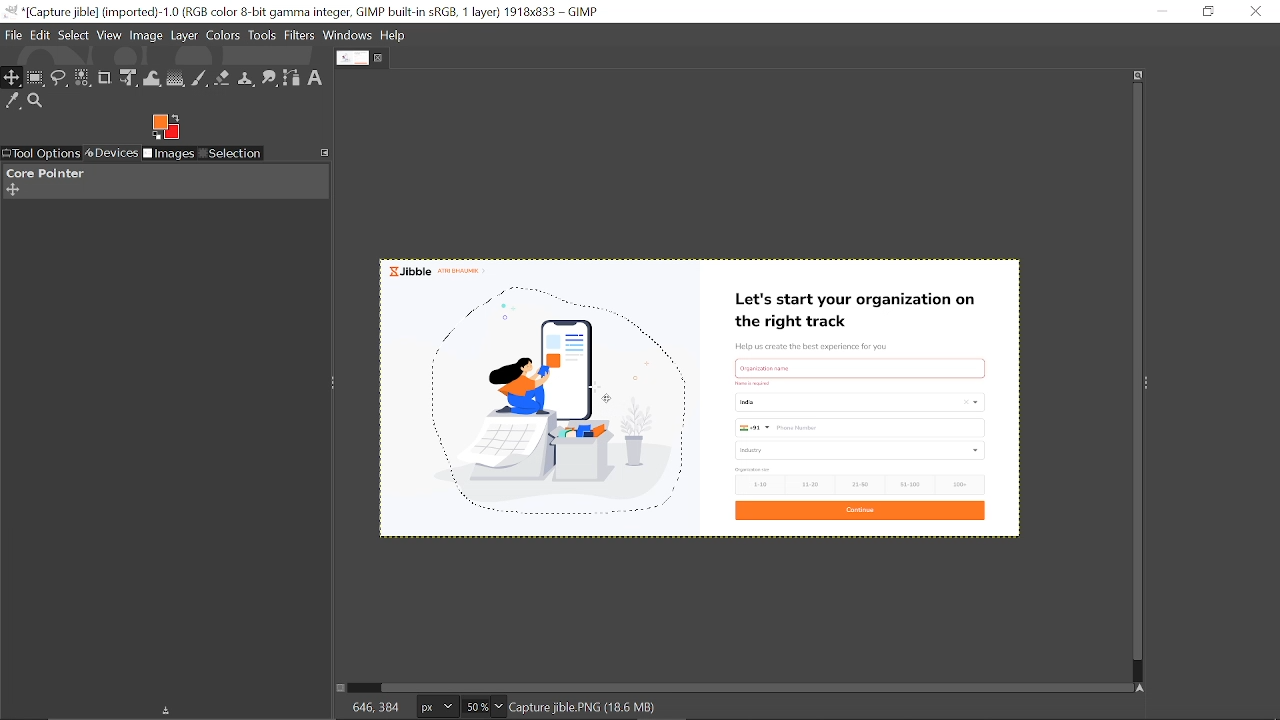 The image size is (1280, 720). Describe the element at coordinates (566, 404) in the screenshot. I see `Selected part of the image ` at that location.